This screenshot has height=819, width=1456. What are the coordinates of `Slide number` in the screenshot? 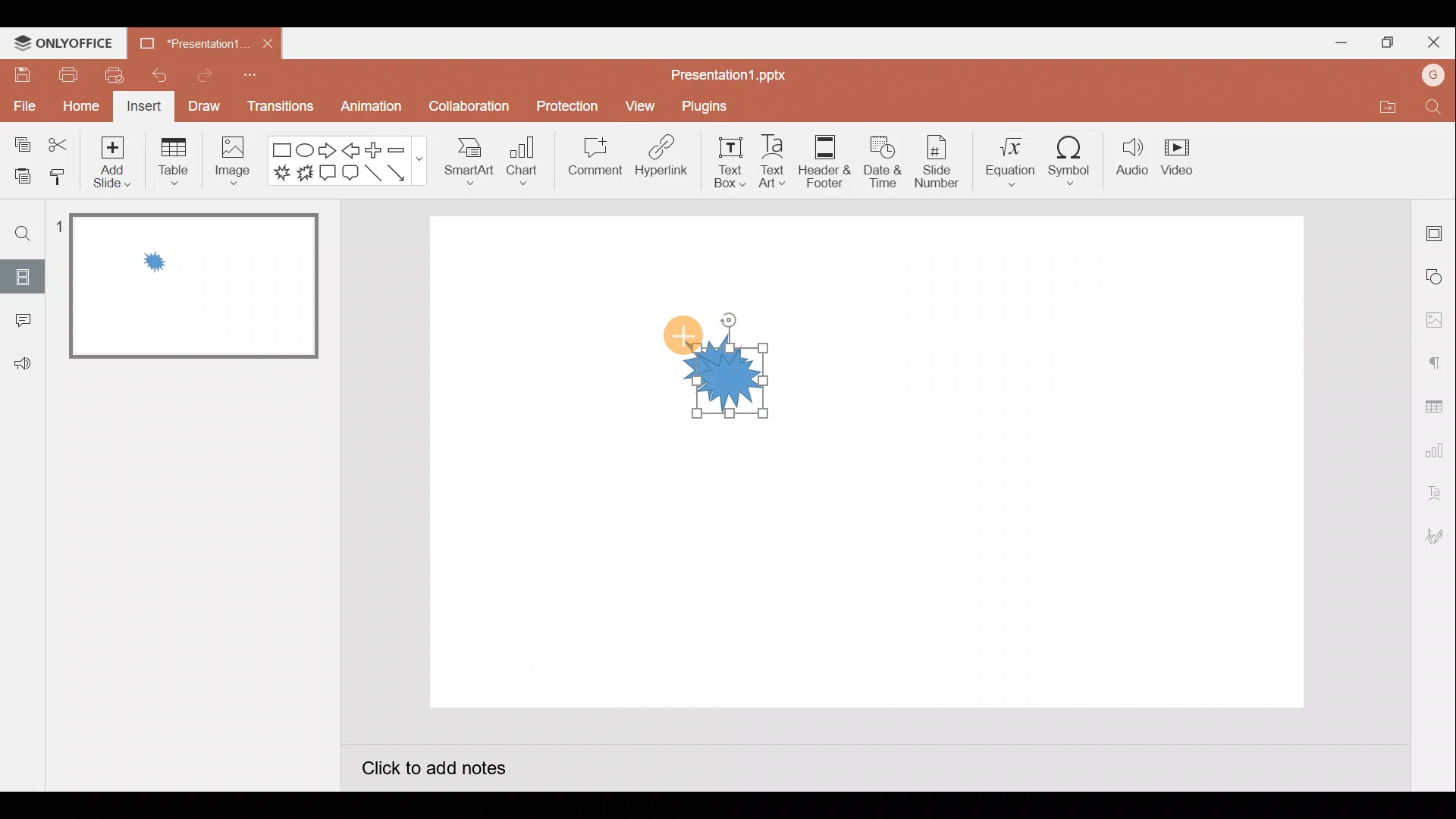 It's located at (937, 162).